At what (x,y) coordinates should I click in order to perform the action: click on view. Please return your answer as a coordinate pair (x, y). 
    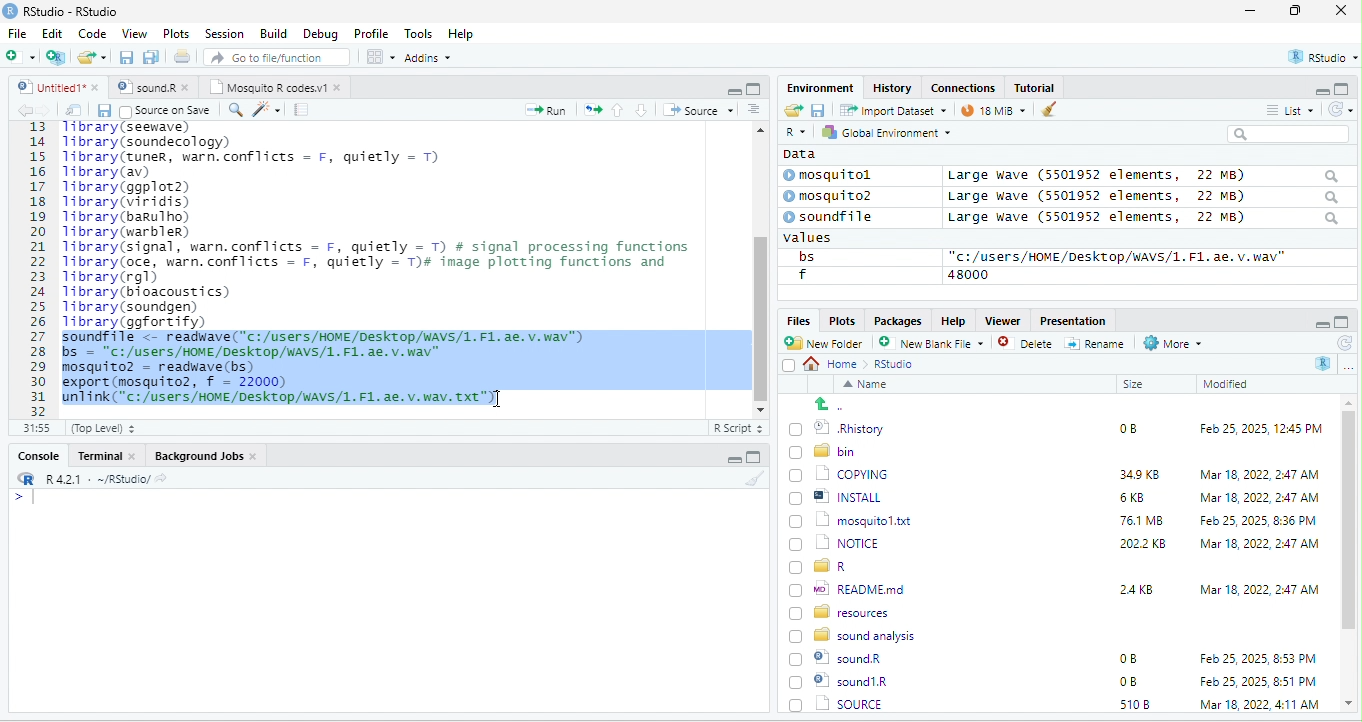
    Looking at the image, I should click on (380, 57).